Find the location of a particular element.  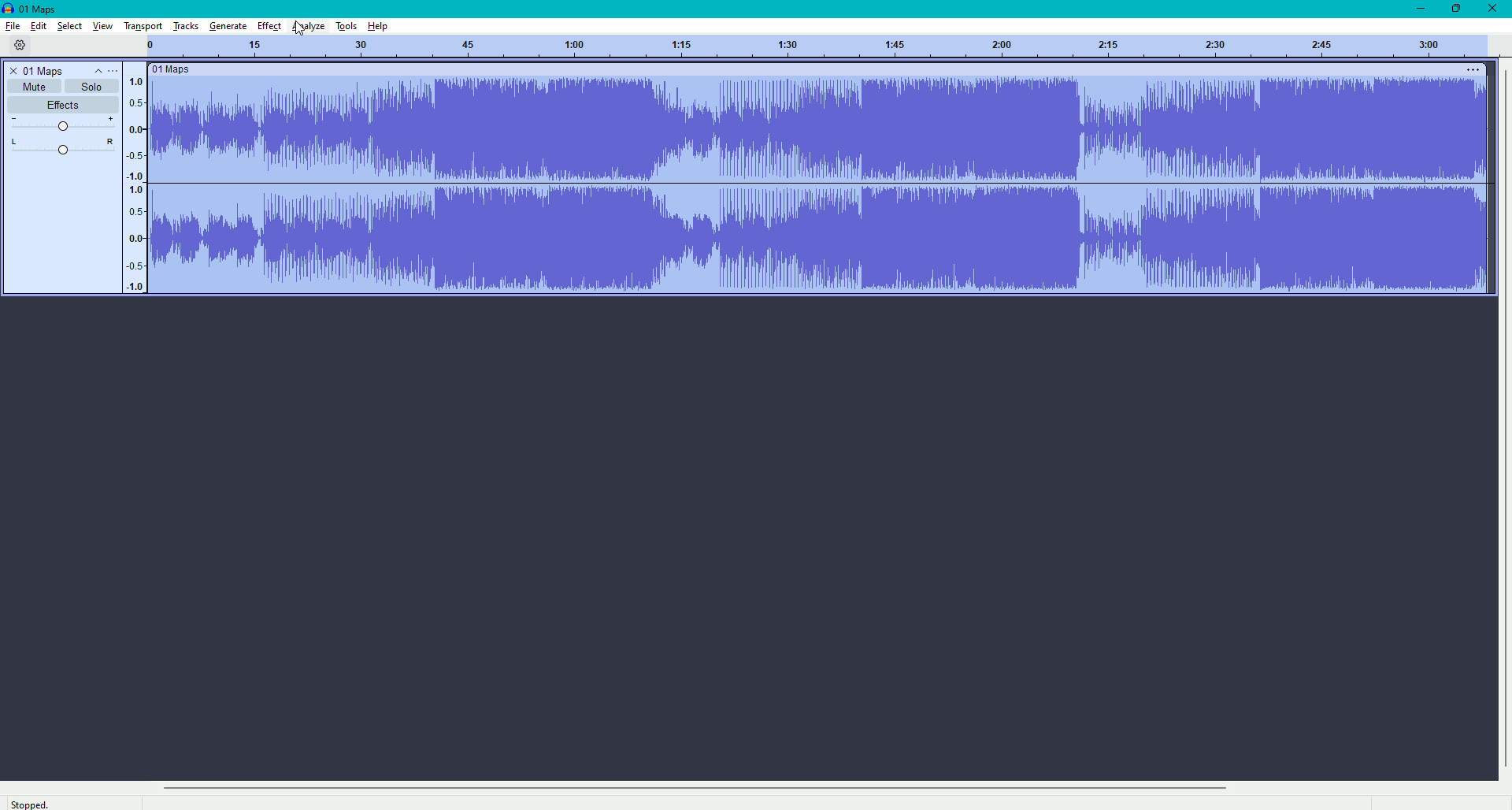

Stopped is located at coordinates (29, 804).